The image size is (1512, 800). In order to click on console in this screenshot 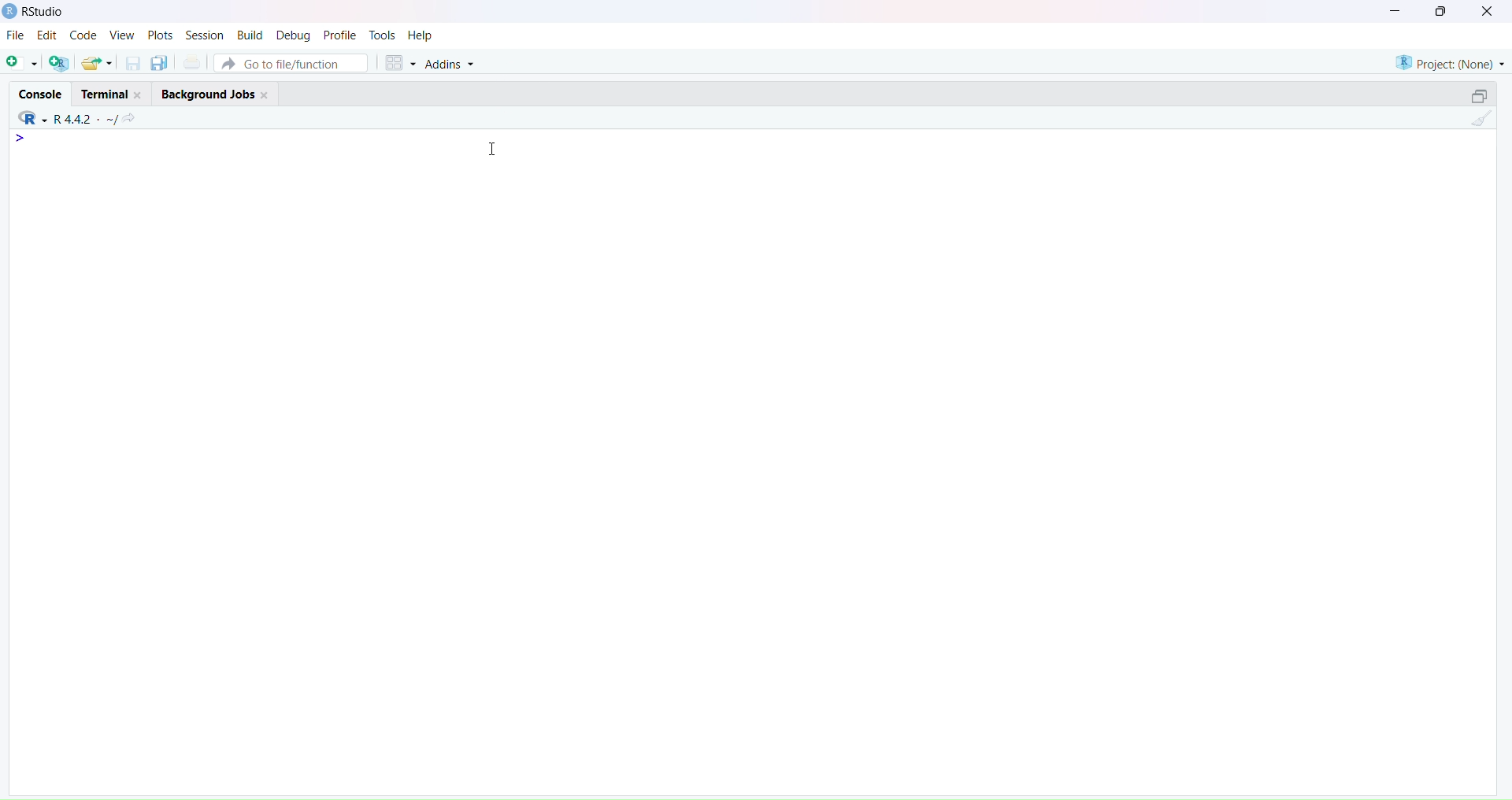, I will do `click(43, 94)`.